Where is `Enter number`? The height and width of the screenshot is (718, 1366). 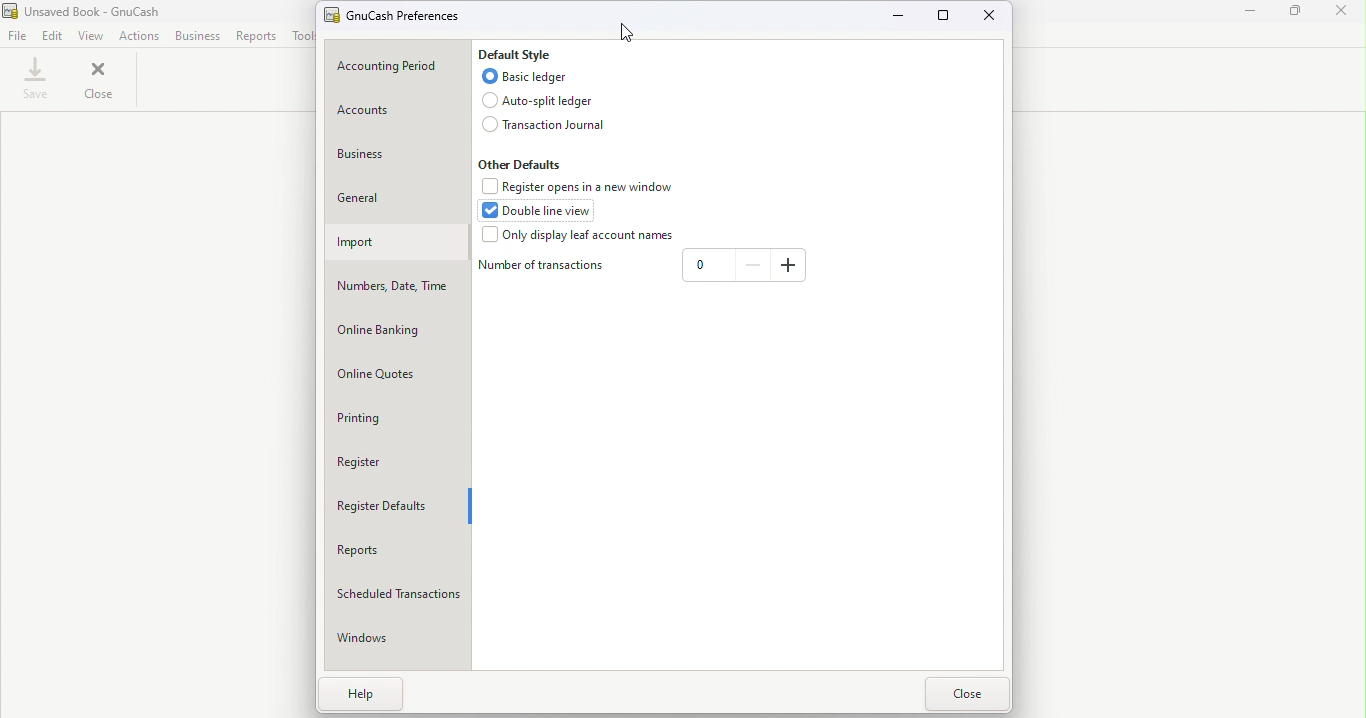
Enter number is located at coordinates (705, 266).